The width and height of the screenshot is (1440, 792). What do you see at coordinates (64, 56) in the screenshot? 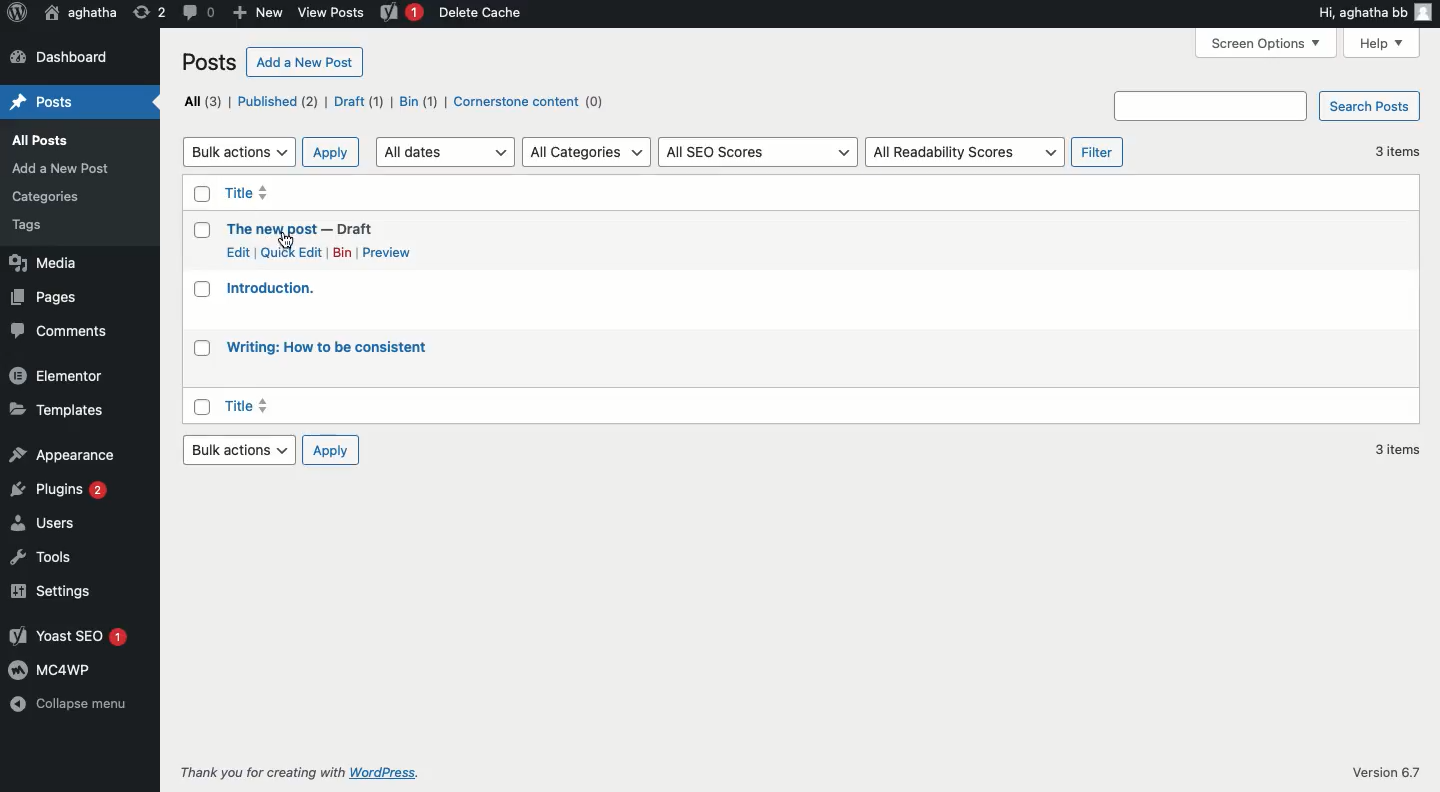
I see `Dashboard` at bounding box center [64, 56].